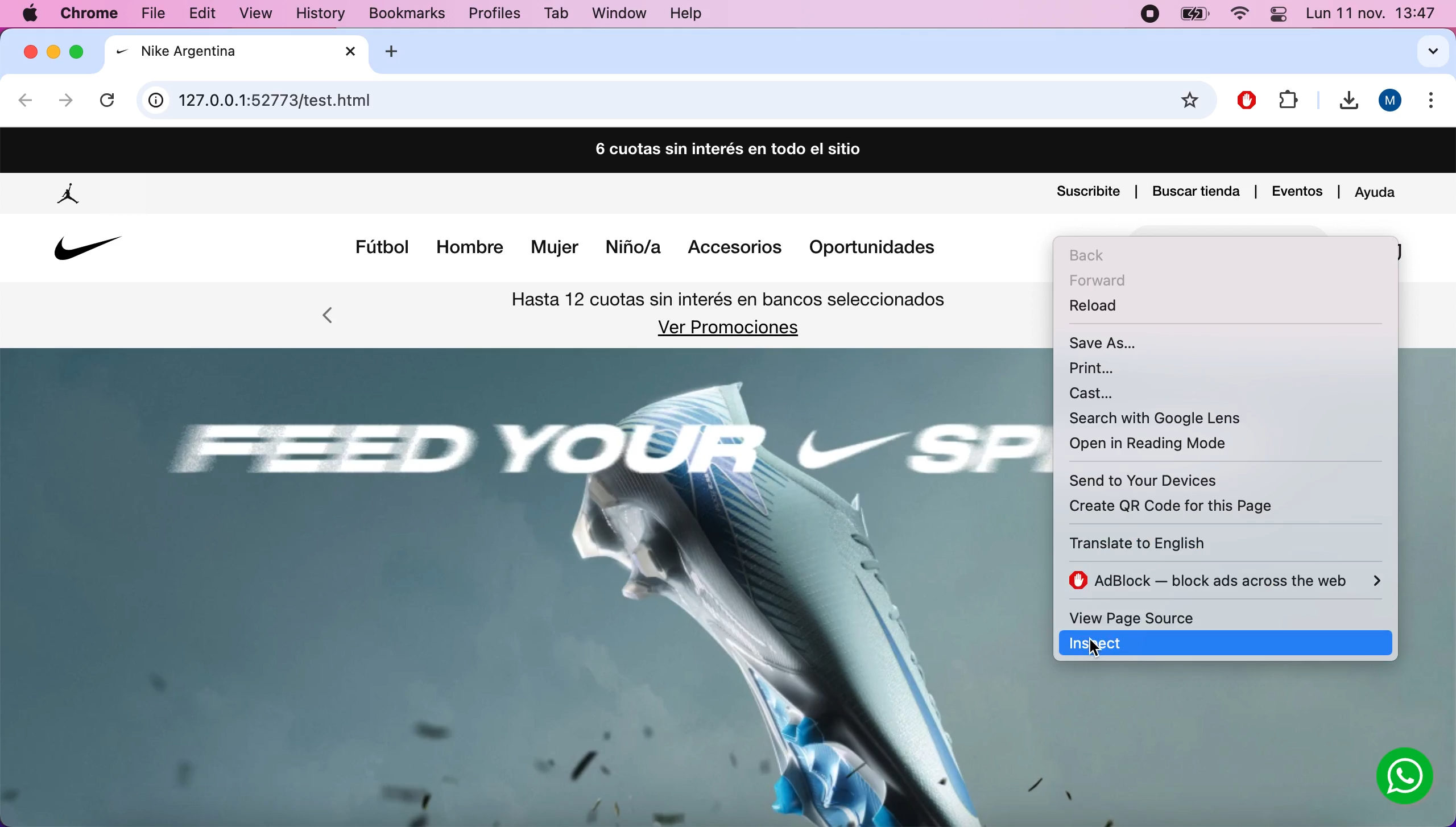  What do you see at coordinates (522, 582) in the screenshot?
I see `image` at bounding box center [522, 582].